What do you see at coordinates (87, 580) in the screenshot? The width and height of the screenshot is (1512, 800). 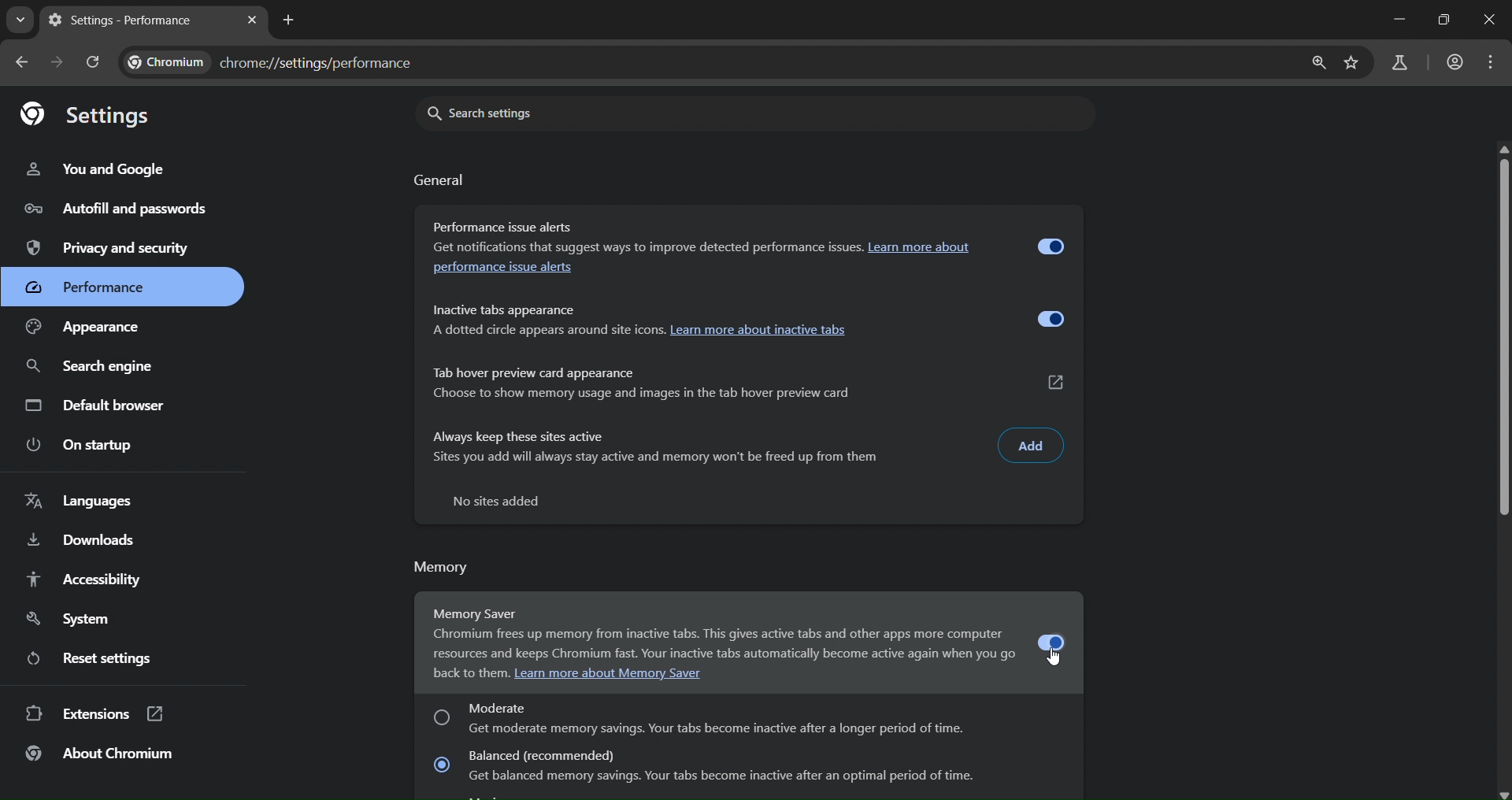 I see `accessibility` at bounding box center [87, 580].